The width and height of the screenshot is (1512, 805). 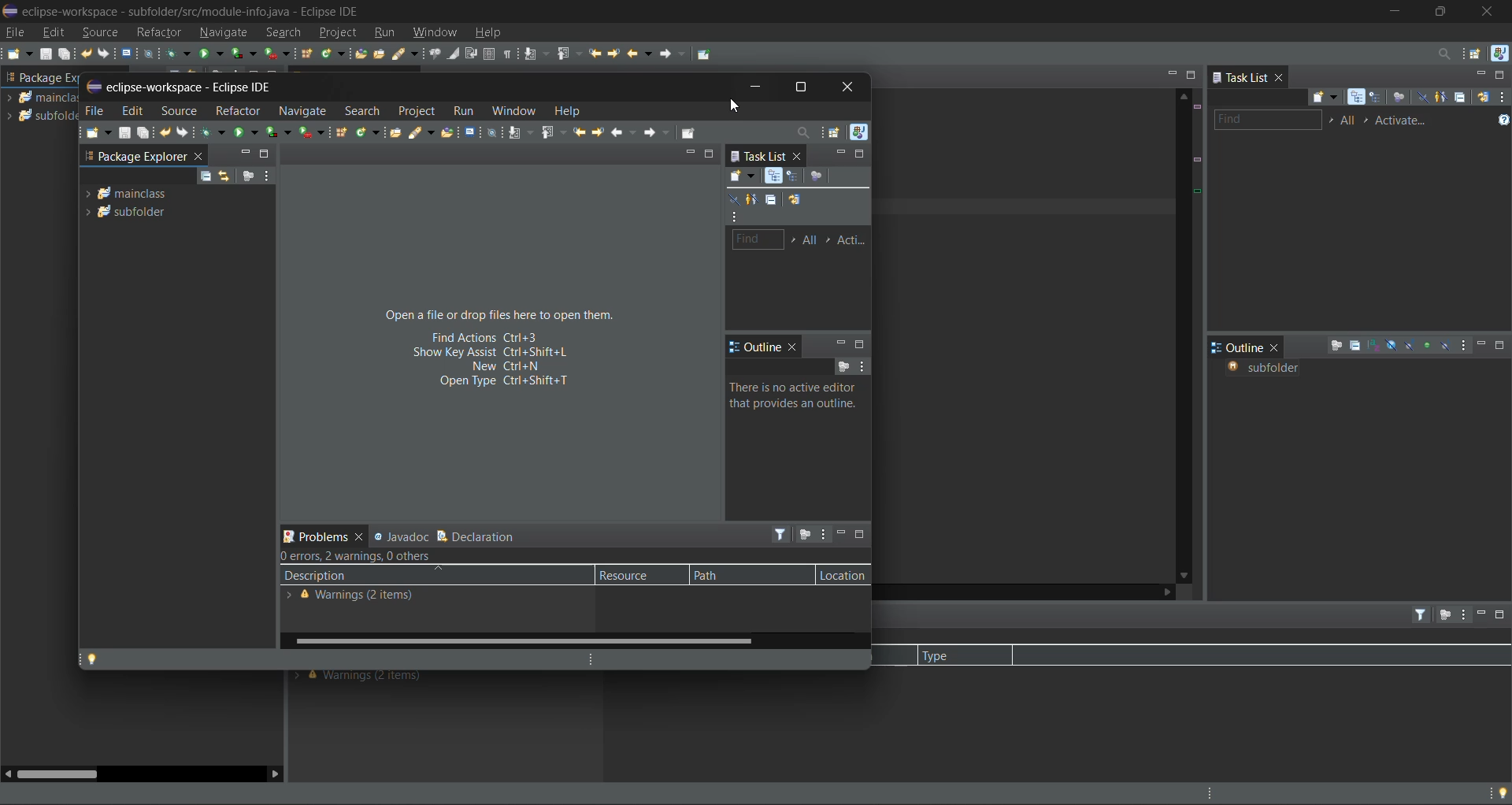 I want to click on horizontal scroll bar, so click(x=524, y=642).